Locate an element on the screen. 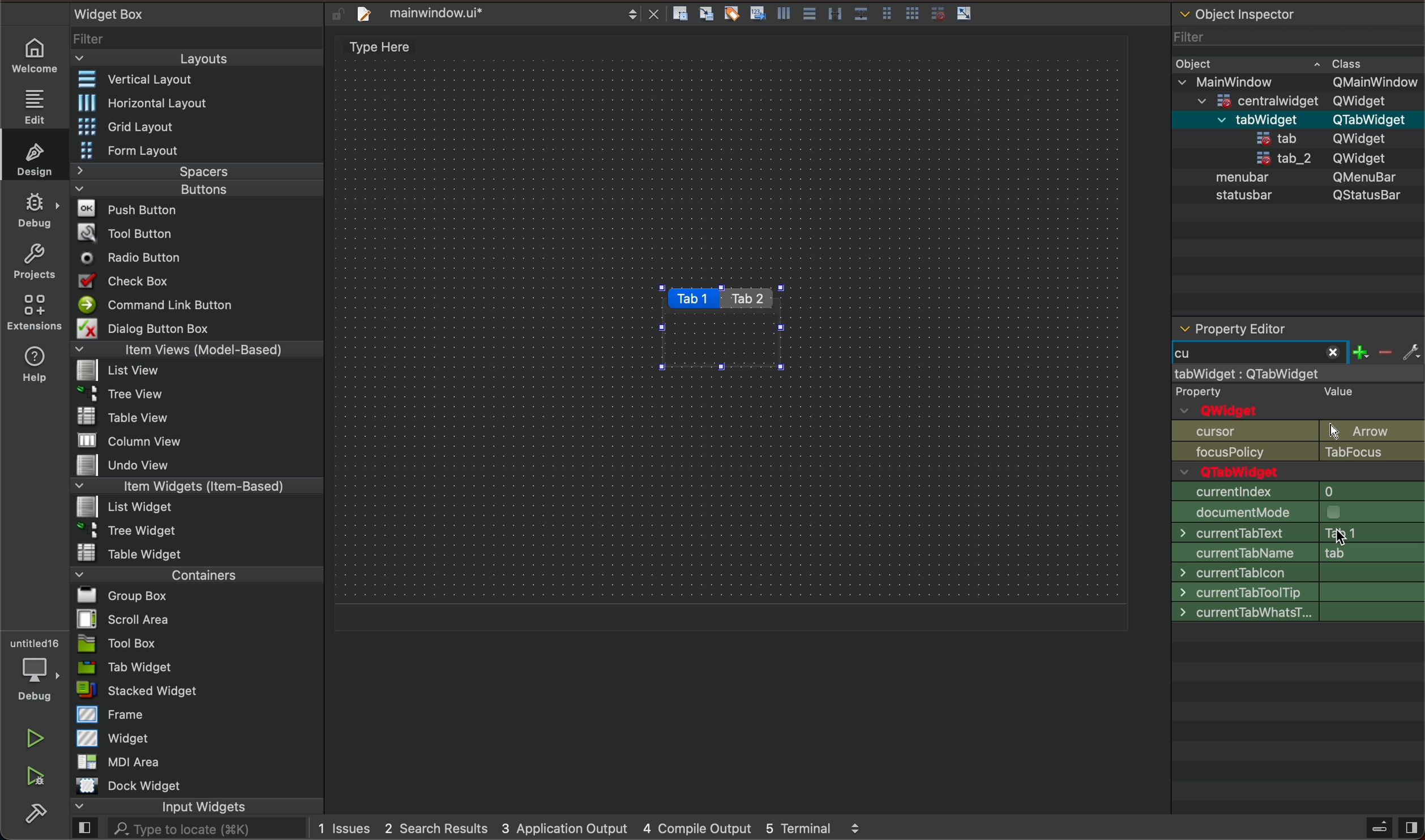 The image size is (1425, 840). extensions is located at coordinates (37, 310).